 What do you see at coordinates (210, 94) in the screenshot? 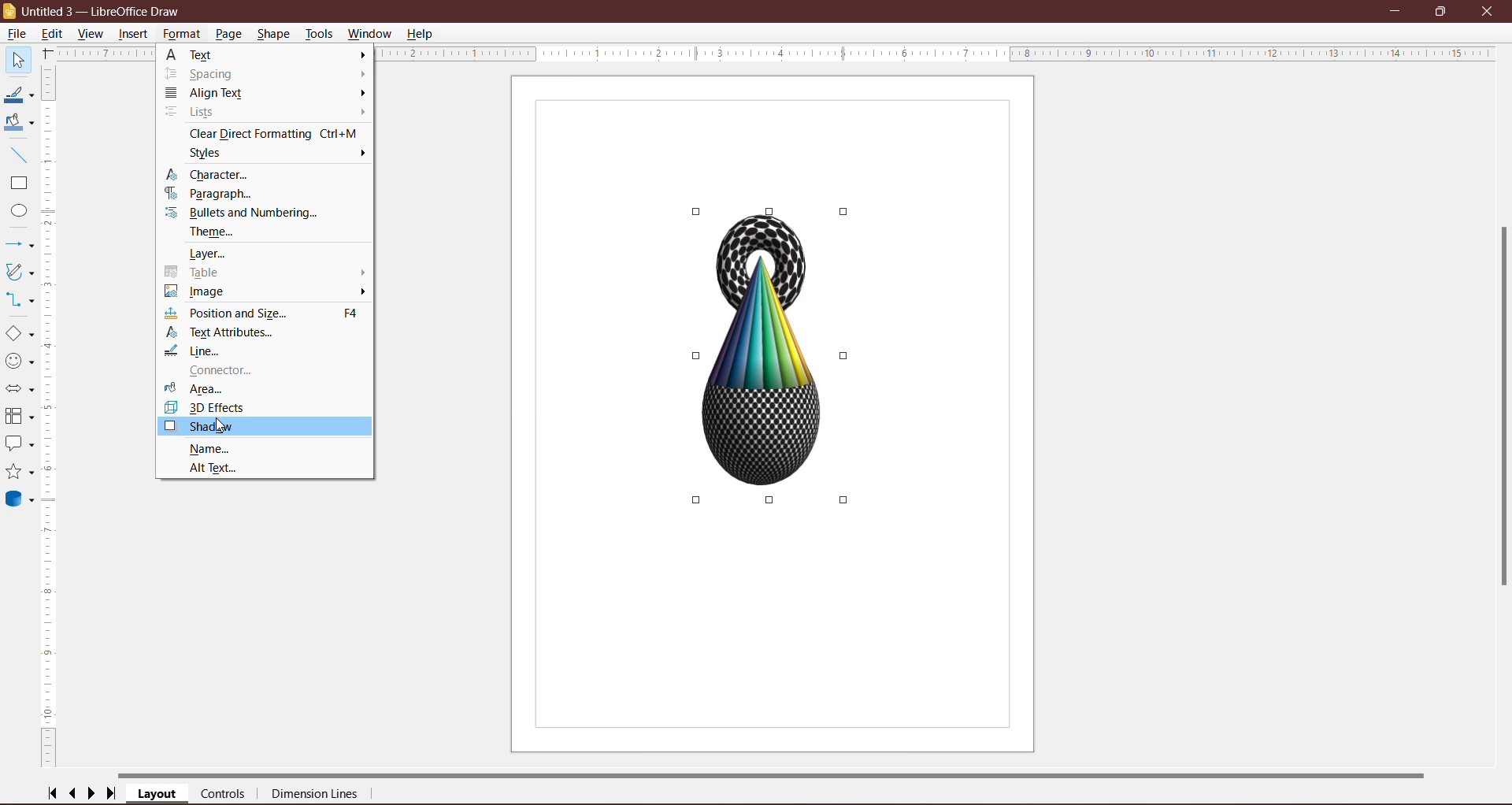
I see `Align Text` at bounding box center [210, 94].